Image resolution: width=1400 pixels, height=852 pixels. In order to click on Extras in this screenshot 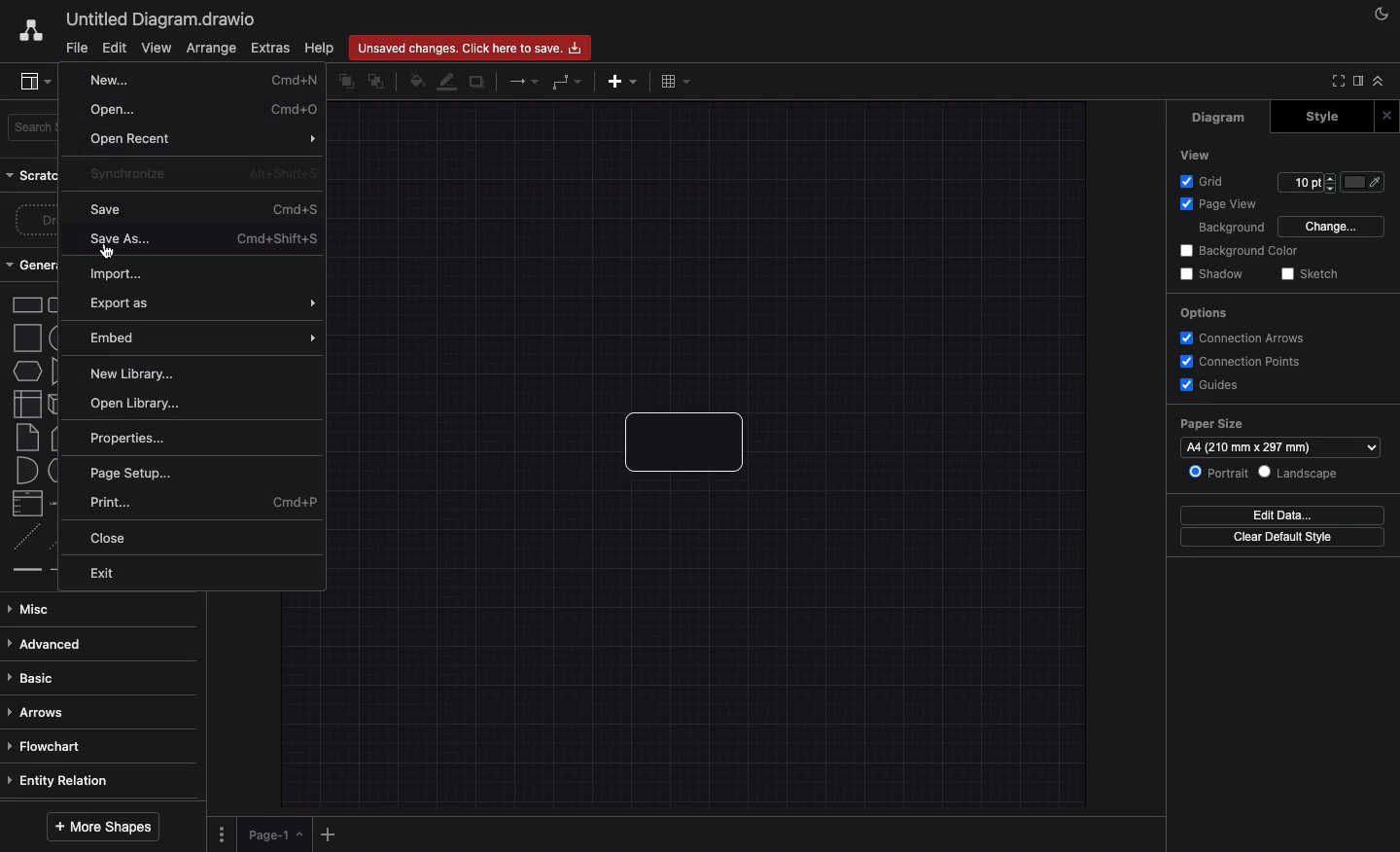, I will do `click(269, 48)`.